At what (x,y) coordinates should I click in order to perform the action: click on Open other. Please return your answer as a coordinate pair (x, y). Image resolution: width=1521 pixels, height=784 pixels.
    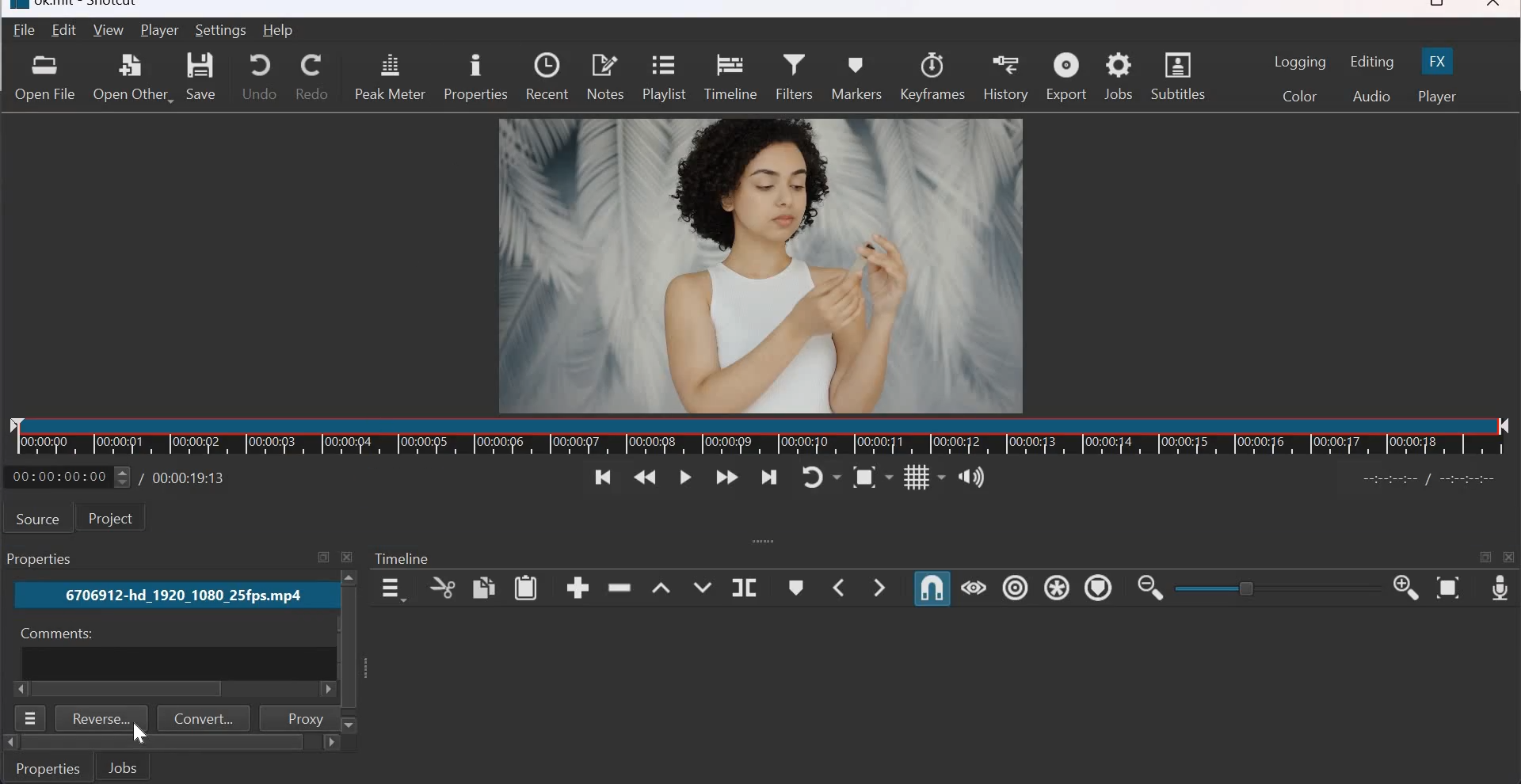
    Looking at the image, I should click on (132, 75).